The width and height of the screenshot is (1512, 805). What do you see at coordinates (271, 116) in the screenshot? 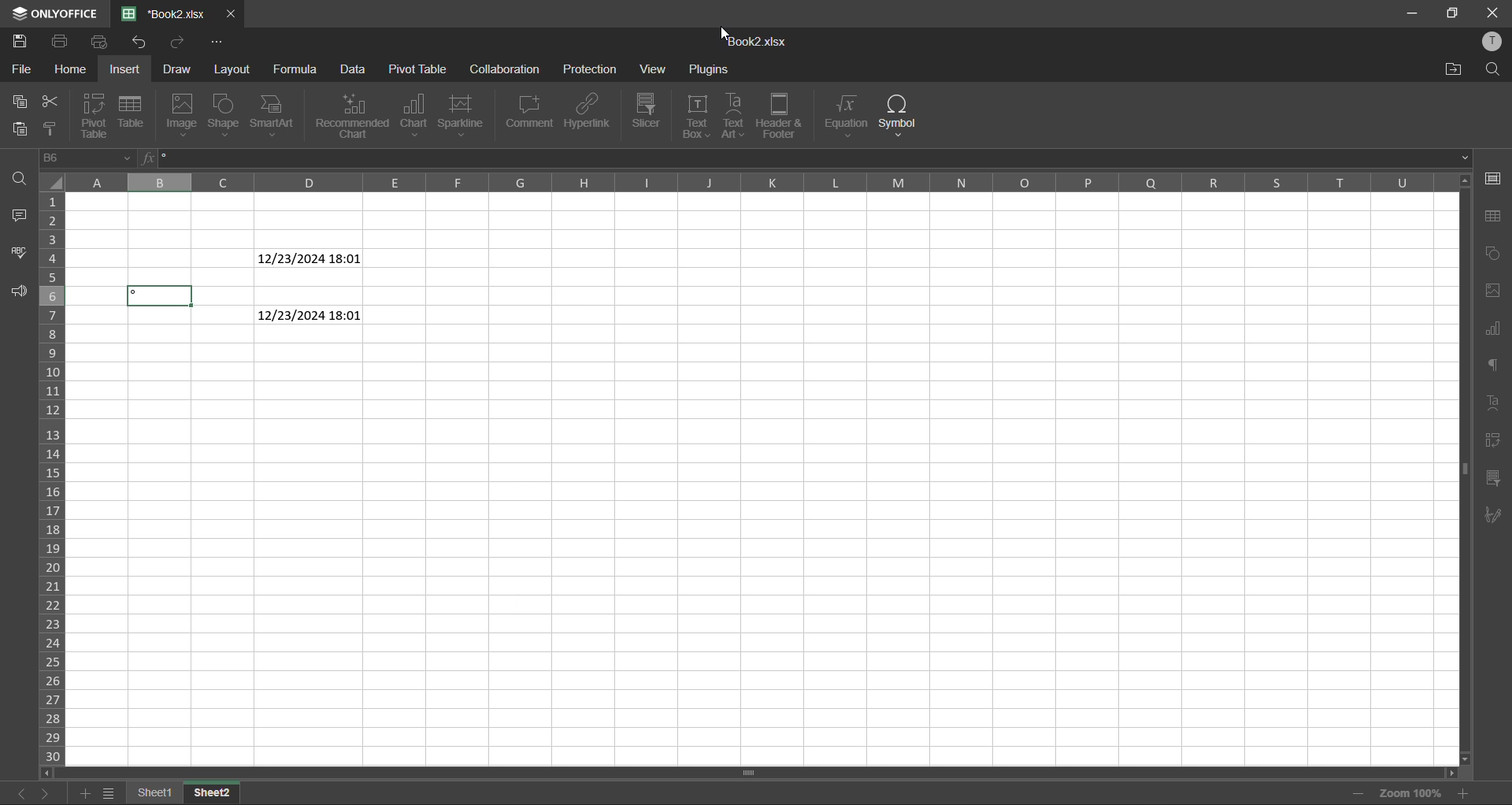
I see `smartart` at bounding box center [271, 116].